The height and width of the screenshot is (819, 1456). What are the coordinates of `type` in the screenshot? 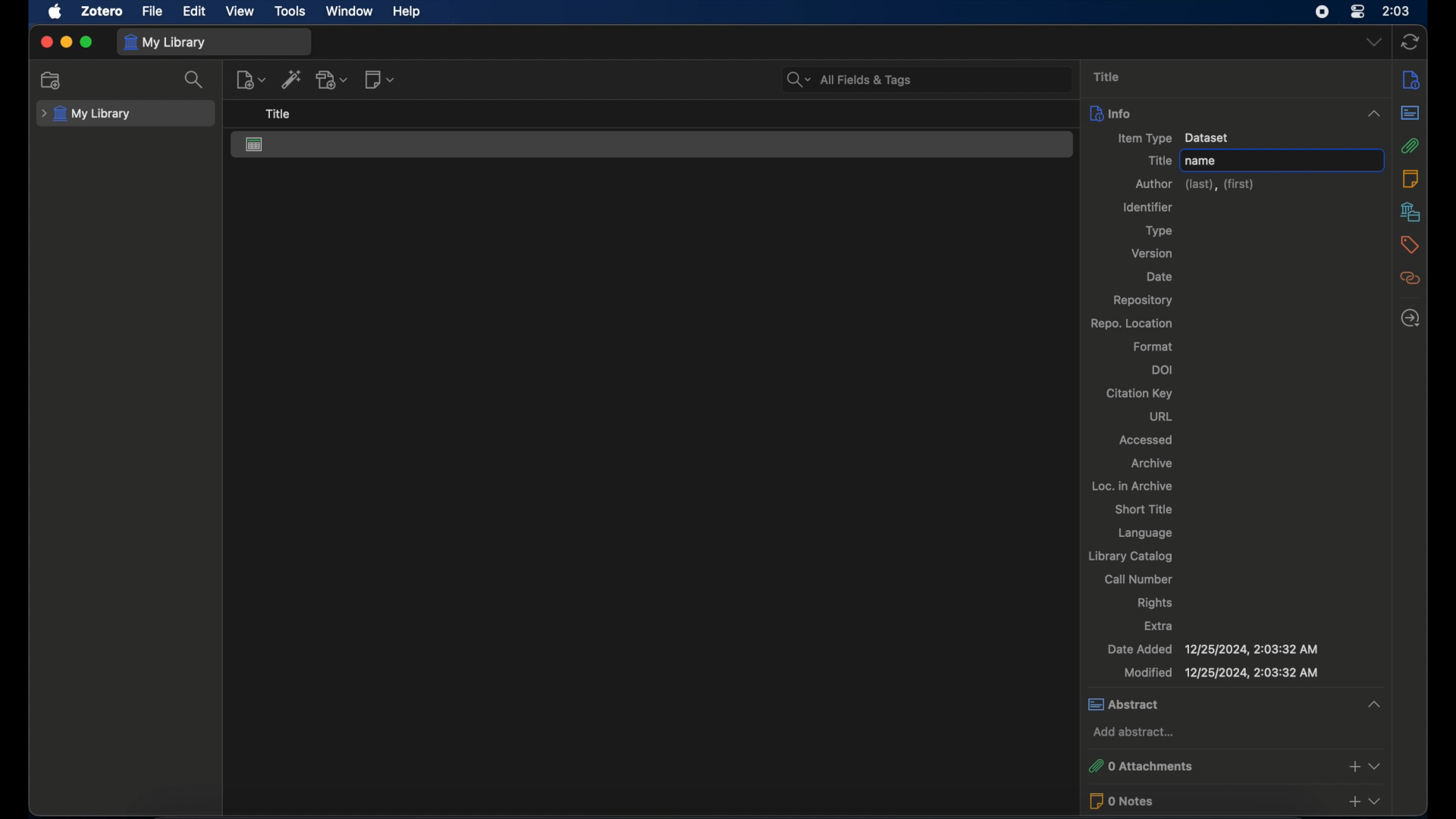 It's located at (1159, 231).